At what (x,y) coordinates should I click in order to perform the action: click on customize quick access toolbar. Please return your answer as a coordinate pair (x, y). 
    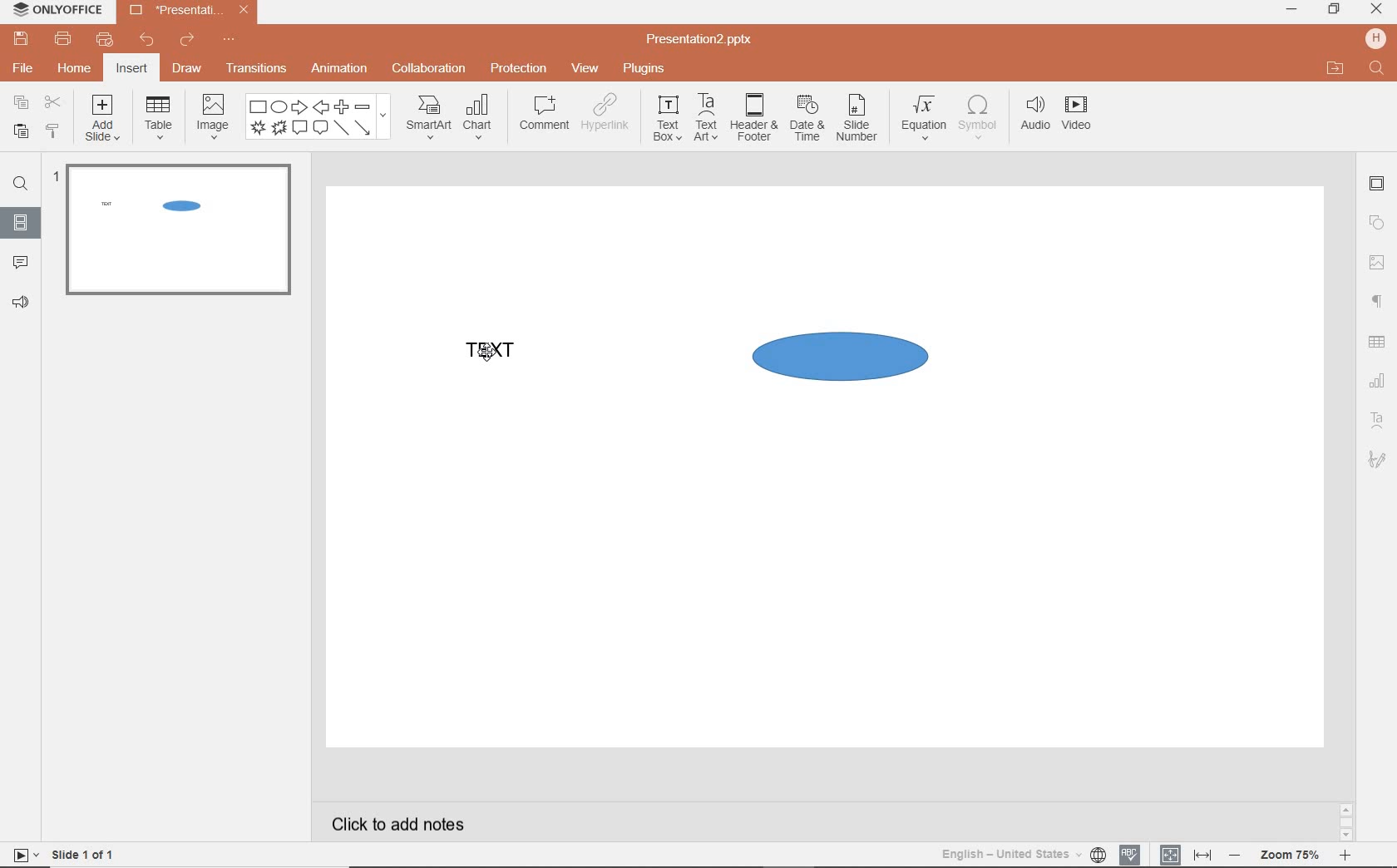
    Looking at the image, I should click on (228, 40).